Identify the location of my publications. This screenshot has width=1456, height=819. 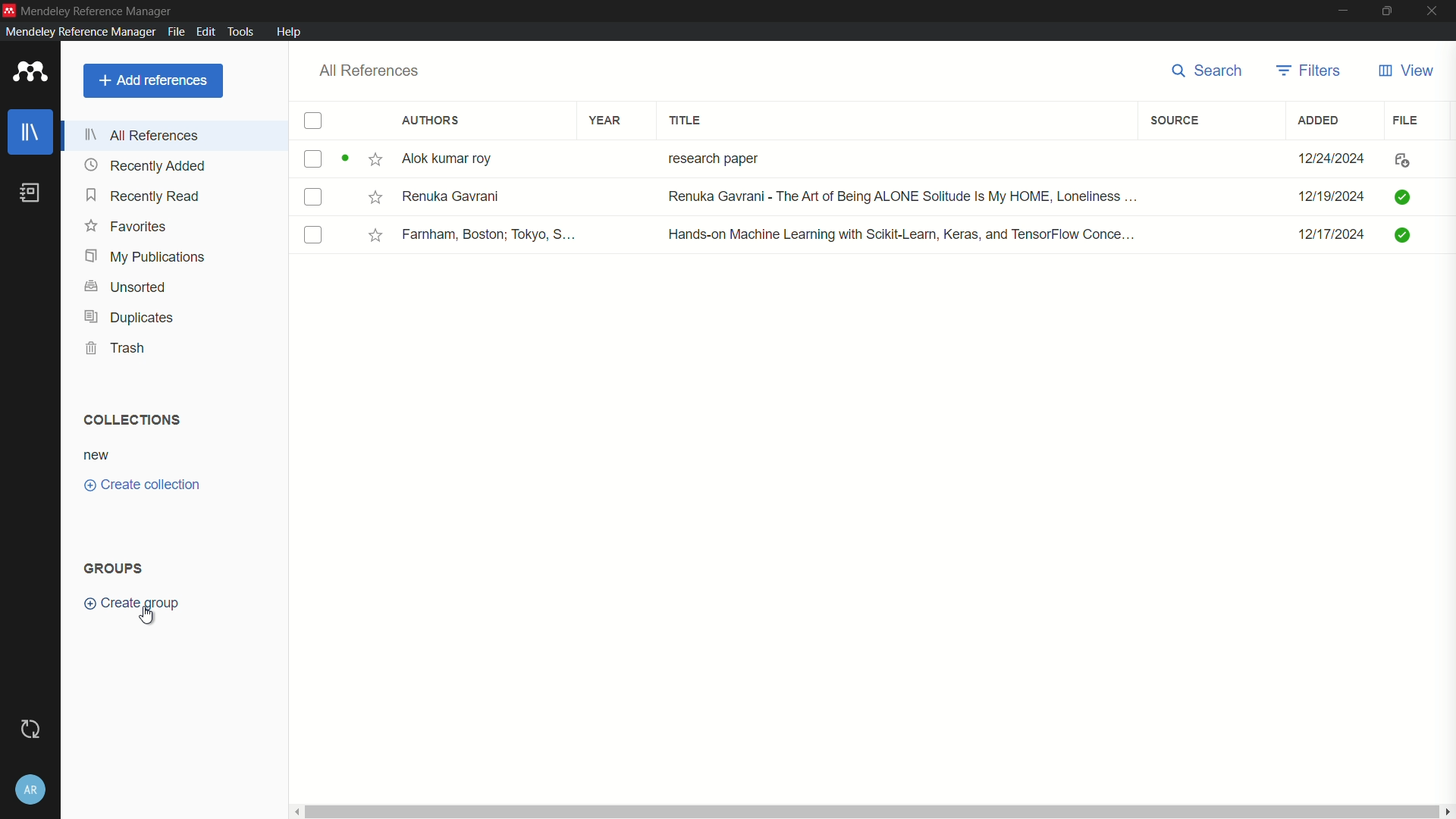
(146, 256).